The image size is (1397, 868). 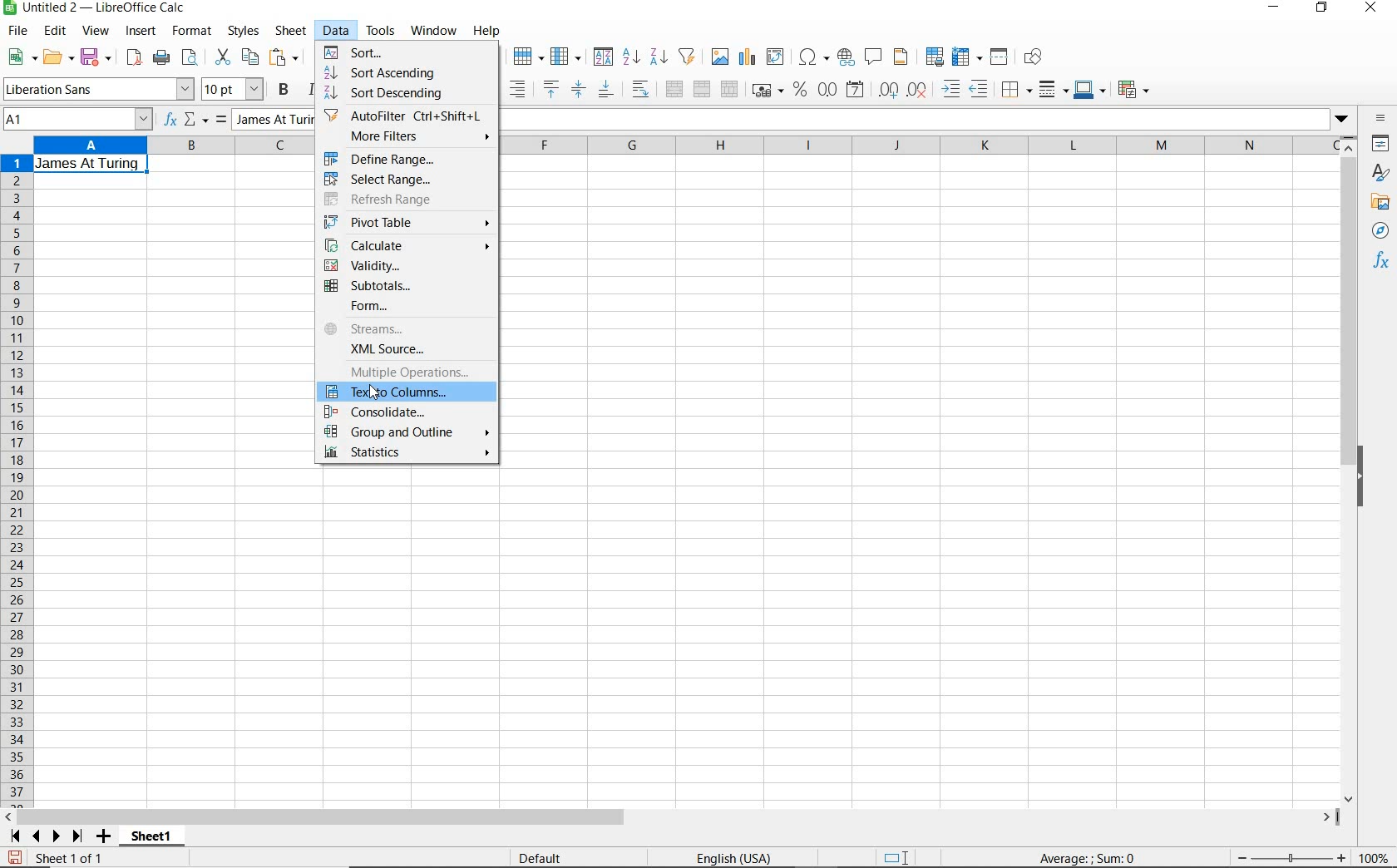 I want to click on functions, so click(x=1382, y=262).